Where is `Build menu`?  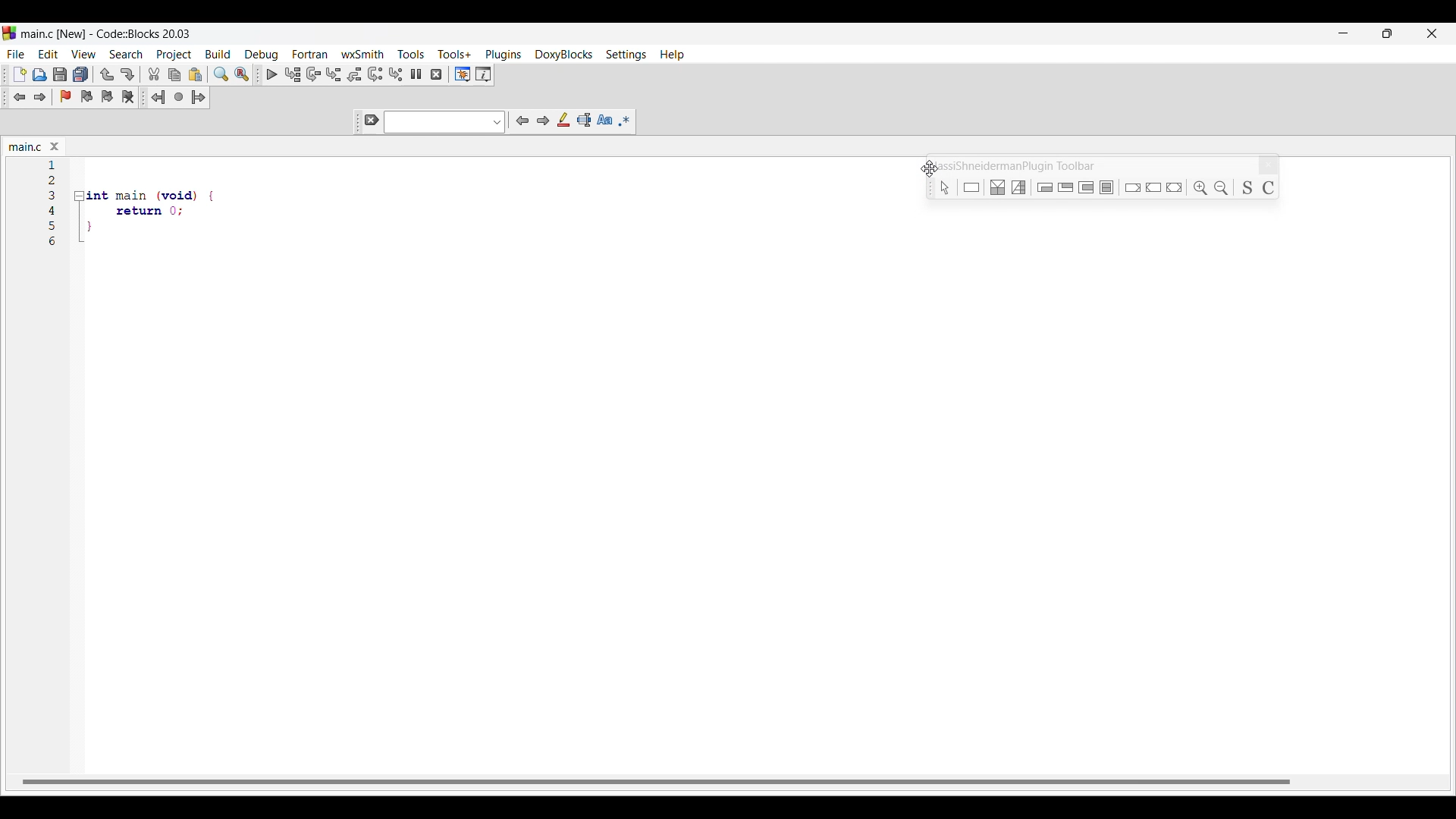
Build menu is located at coordinates (218, 54).